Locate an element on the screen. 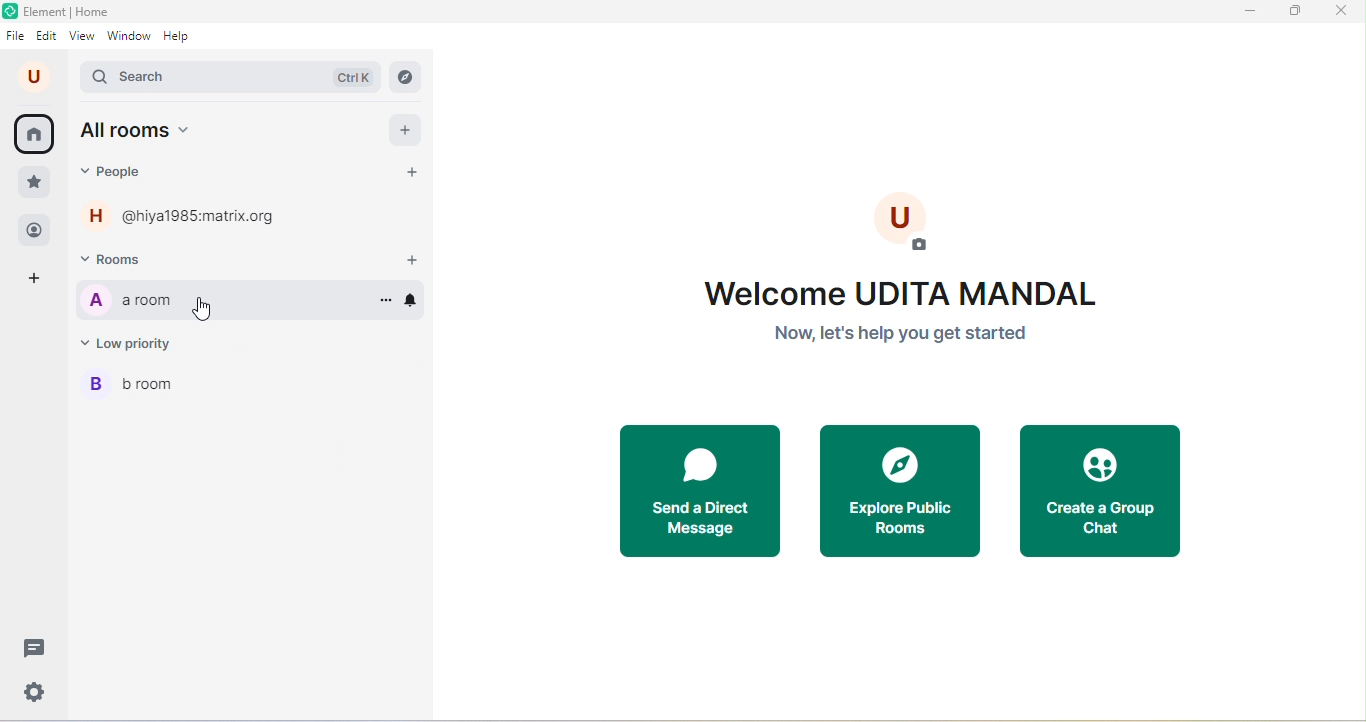 Image resolution: width=1366 pixels, height=722 pixels. element logo is located at coordinates (10, 11).